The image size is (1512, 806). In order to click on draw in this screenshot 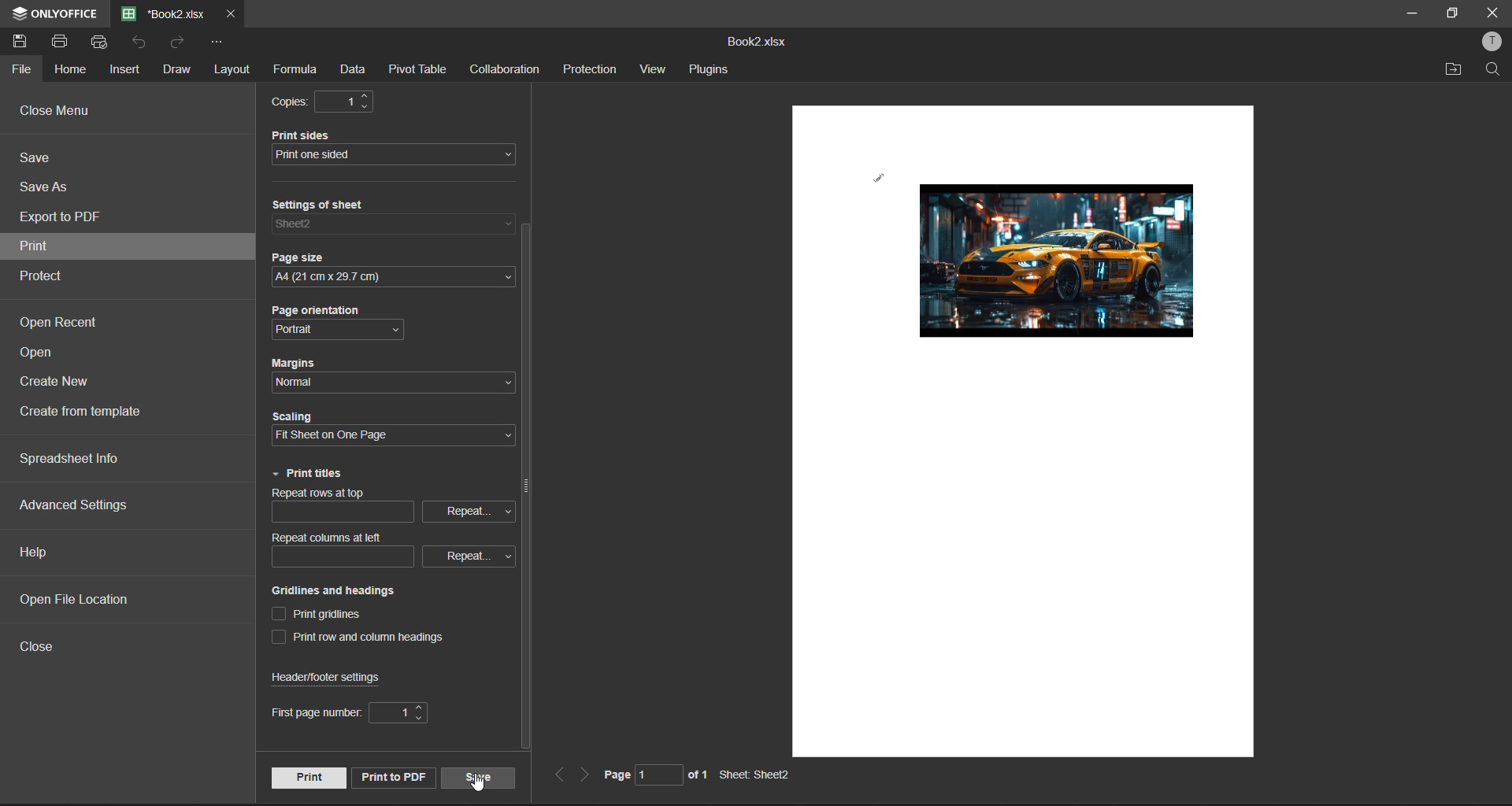, I will do `click(177, 70)`.